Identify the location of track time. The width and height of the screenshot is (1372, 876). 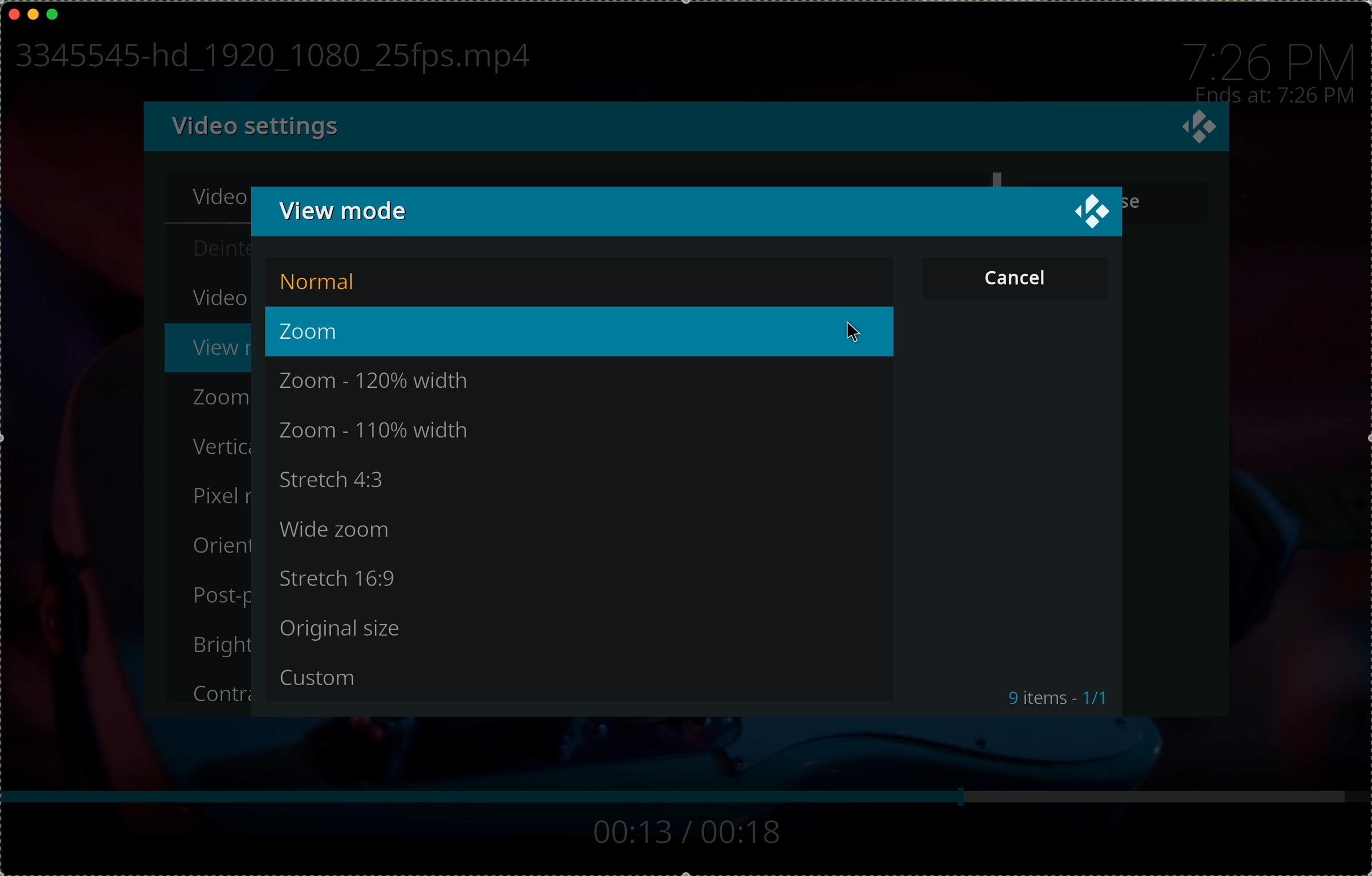
(693, 833).